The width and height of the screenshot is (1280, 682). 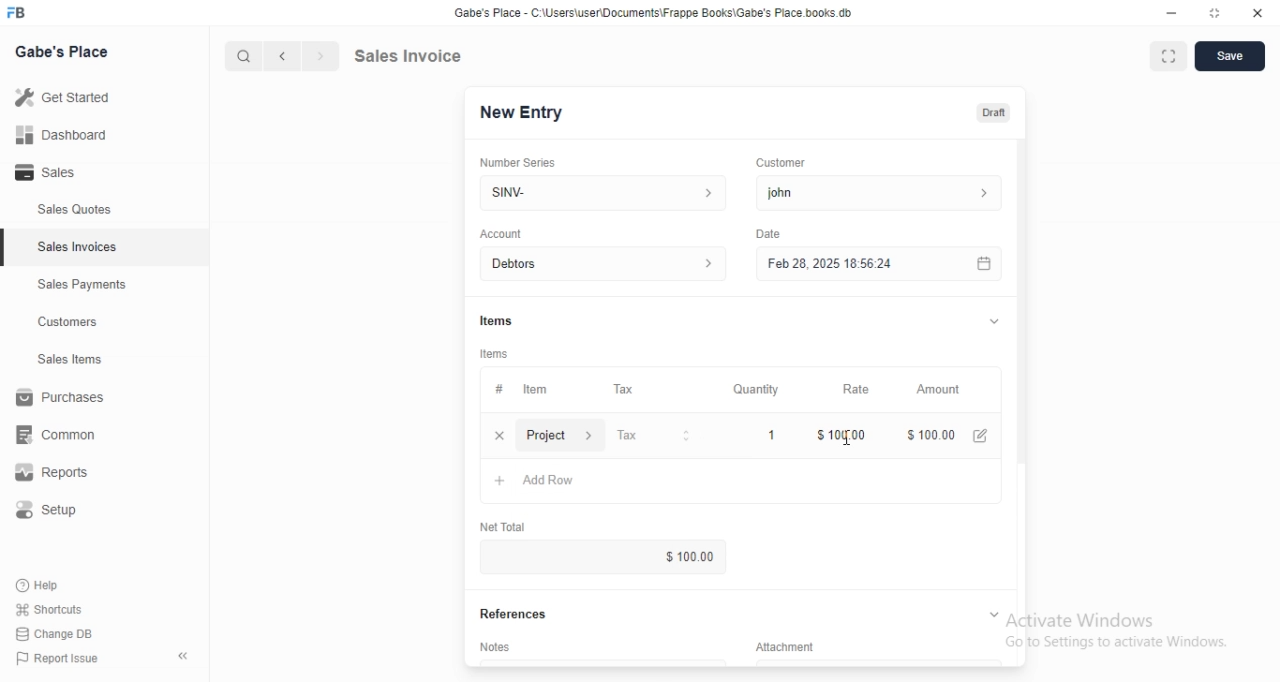 What do you see at coordinates (521, 614) in the screenshot?
I see `References` at bounding box center [521, 614].